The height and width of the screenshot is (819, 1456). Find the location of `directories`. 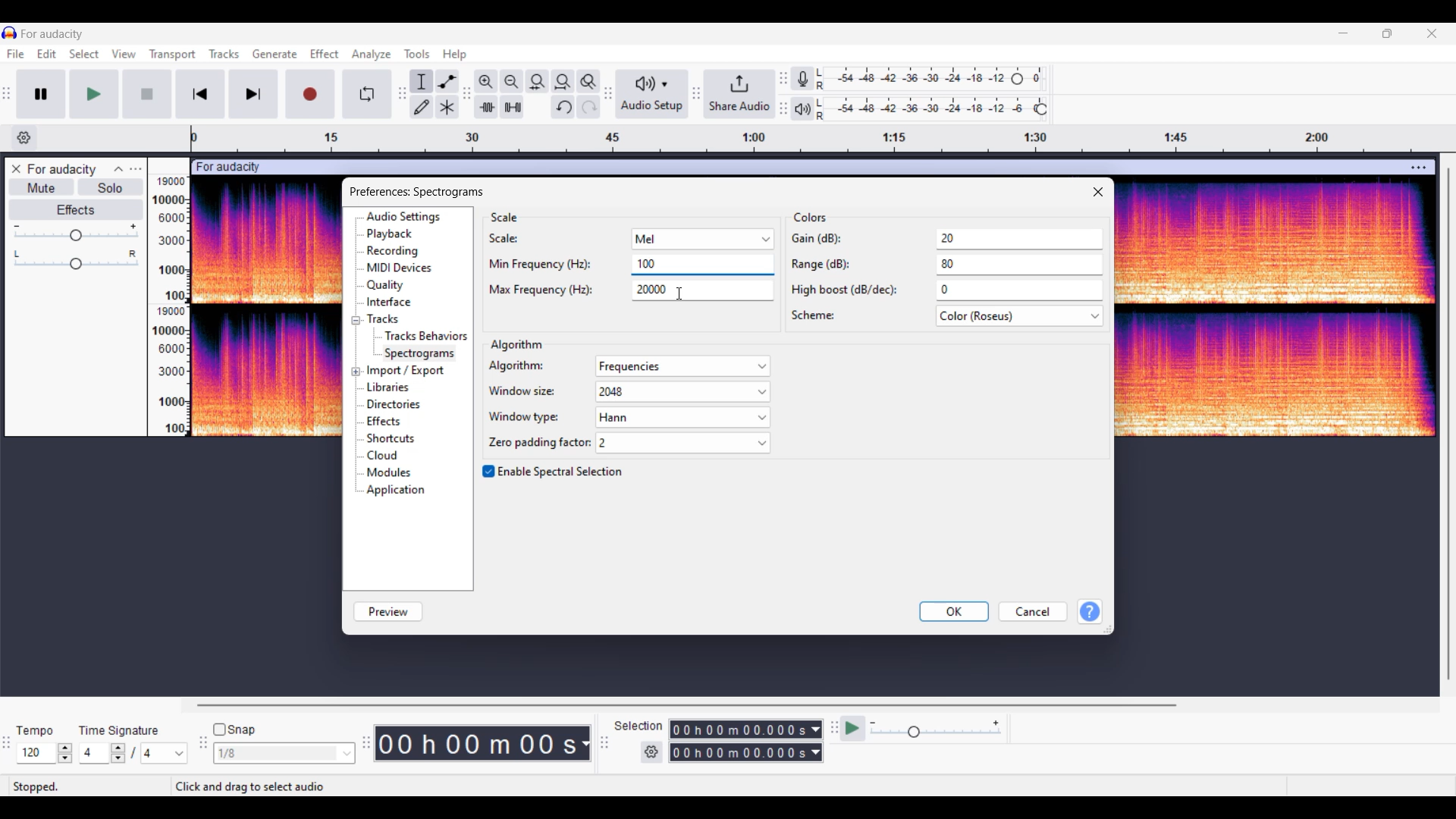

directories is located at coordinates (399, 406).